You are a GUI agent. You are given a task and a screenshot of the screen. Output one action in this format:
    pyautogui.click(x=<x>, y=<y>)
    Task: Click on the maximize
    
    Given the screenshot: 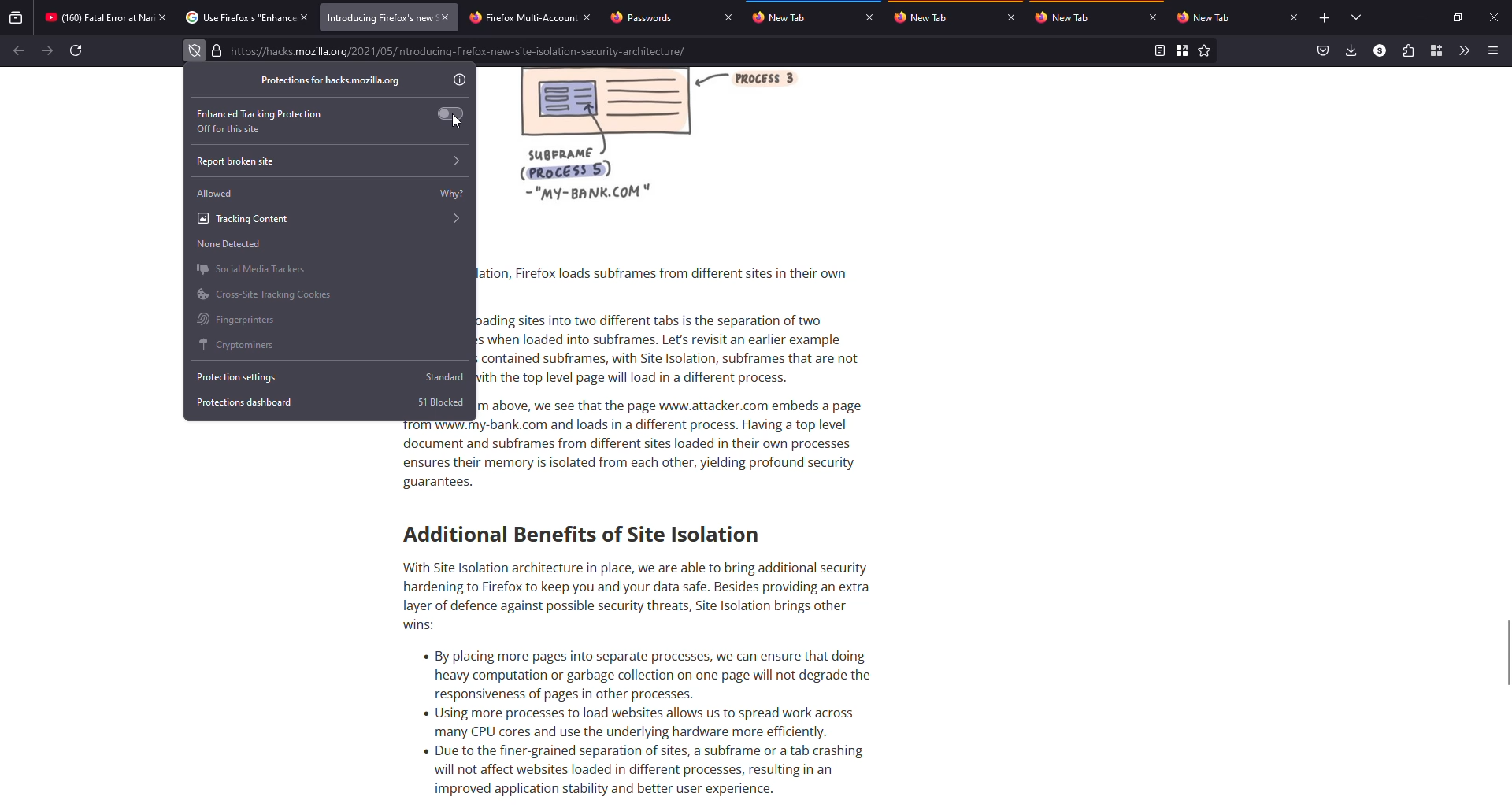 What is the action you would take?
    pyautogui.click(x=1458, y=17)
    